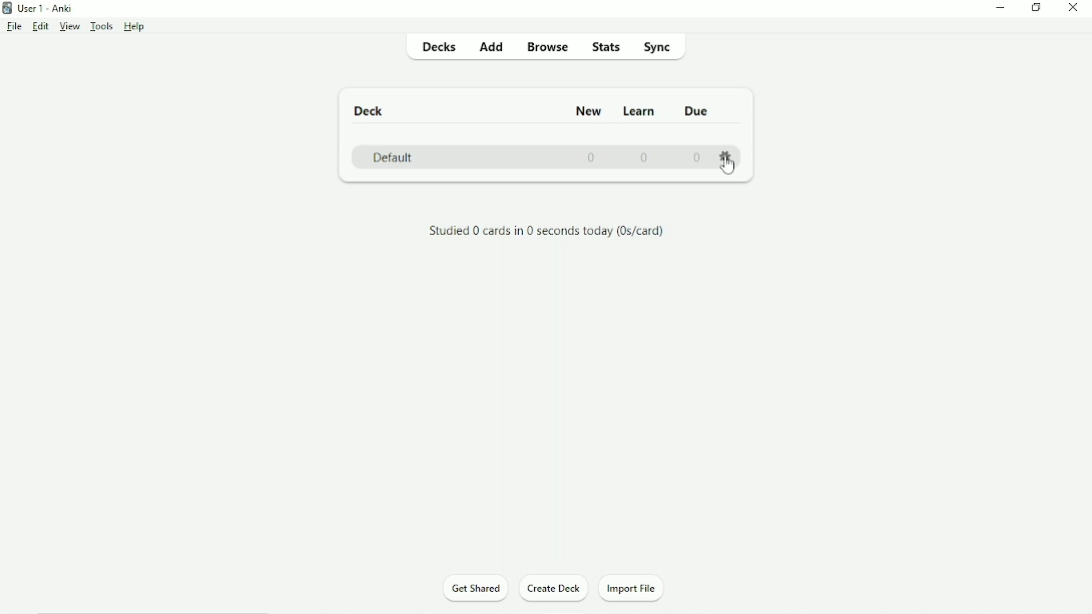  Describe the element at coordinates (102, 26) in the screenshot. I see `Tools` at that location.